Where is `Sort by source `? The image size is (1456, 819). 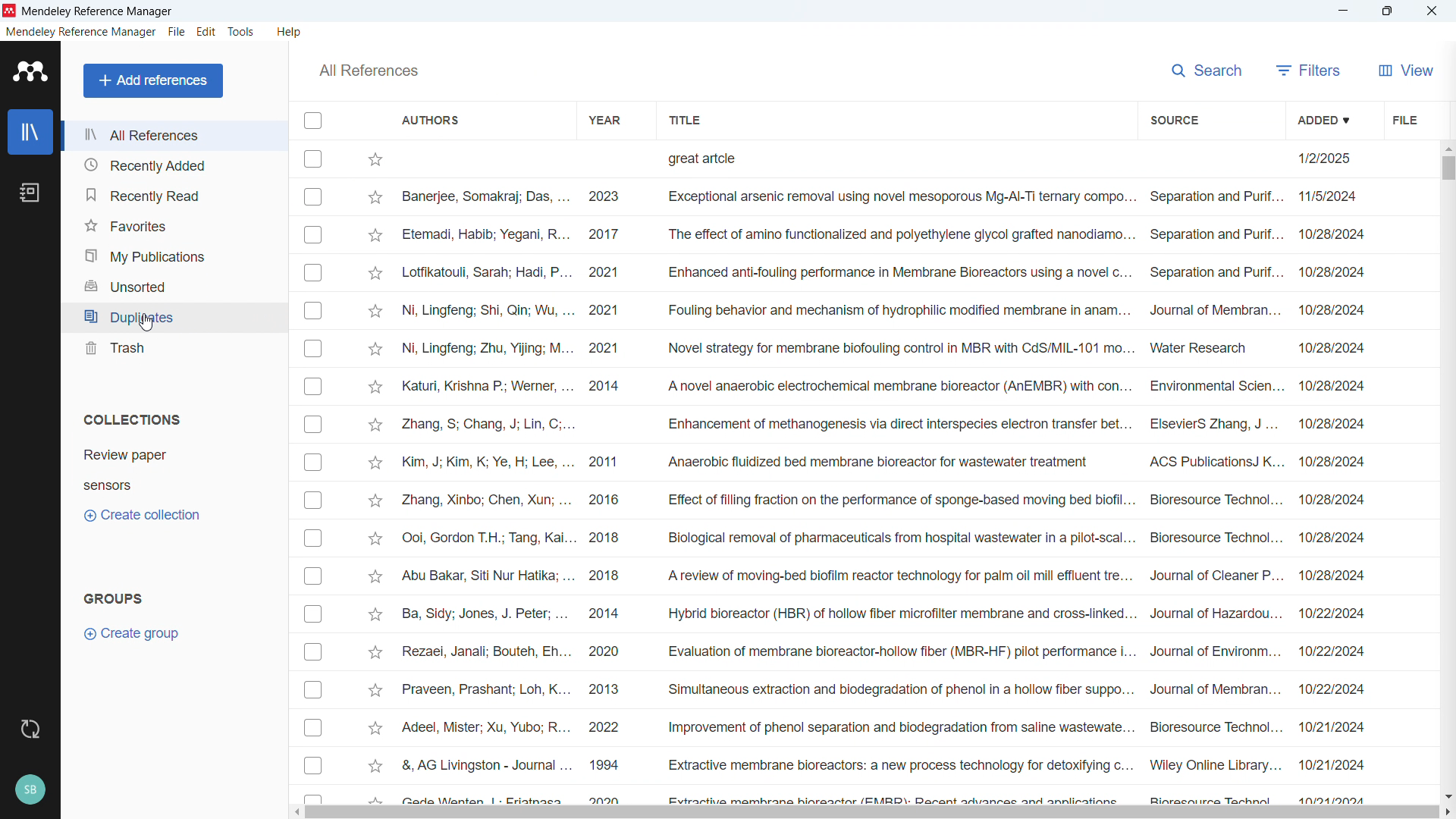
Sort by source  is located at coordinates (1175, 121).